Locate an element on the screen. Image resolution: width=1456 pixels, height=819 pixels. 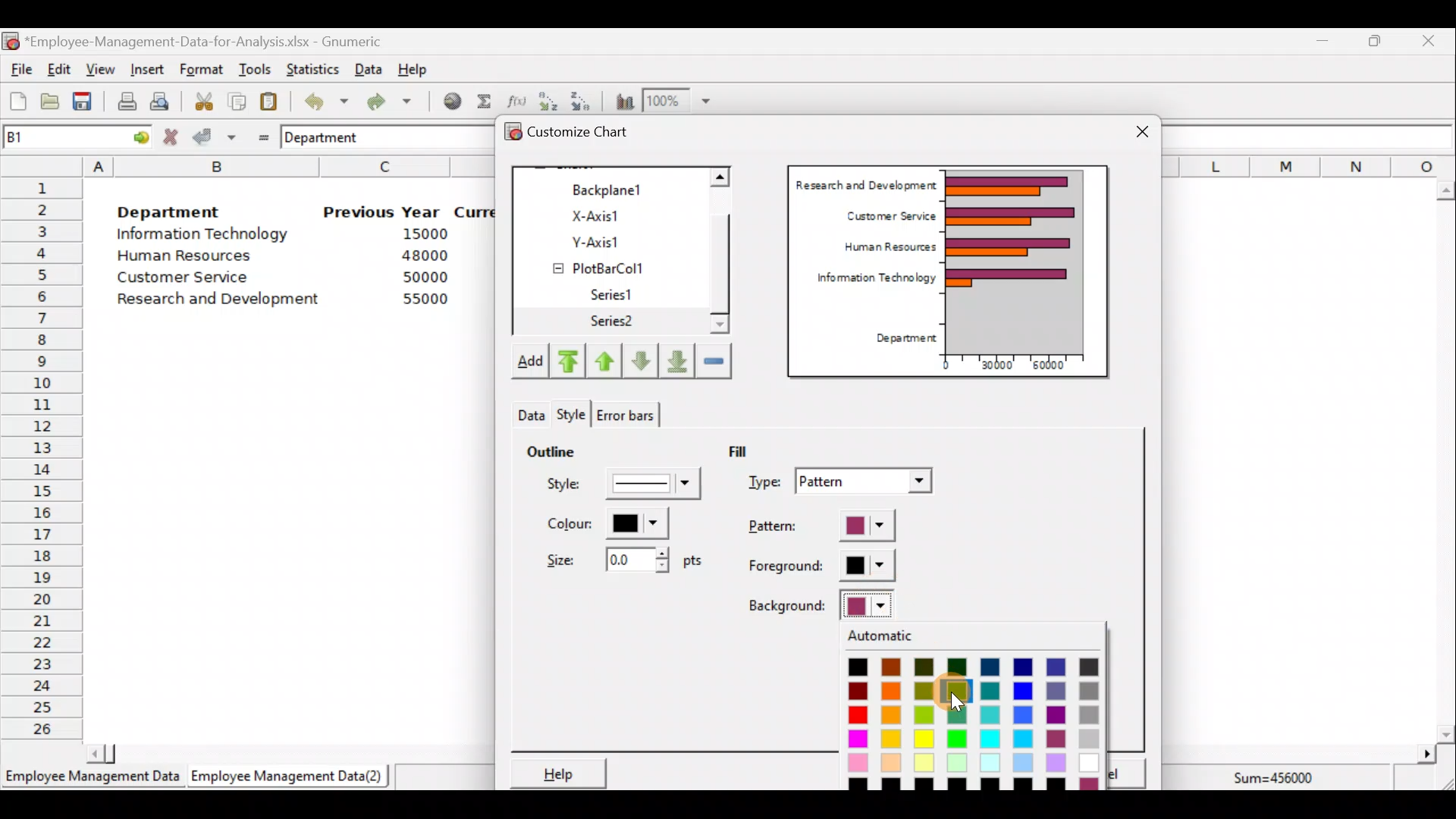
Gnumeric logo is located at coordinates (11, 42).